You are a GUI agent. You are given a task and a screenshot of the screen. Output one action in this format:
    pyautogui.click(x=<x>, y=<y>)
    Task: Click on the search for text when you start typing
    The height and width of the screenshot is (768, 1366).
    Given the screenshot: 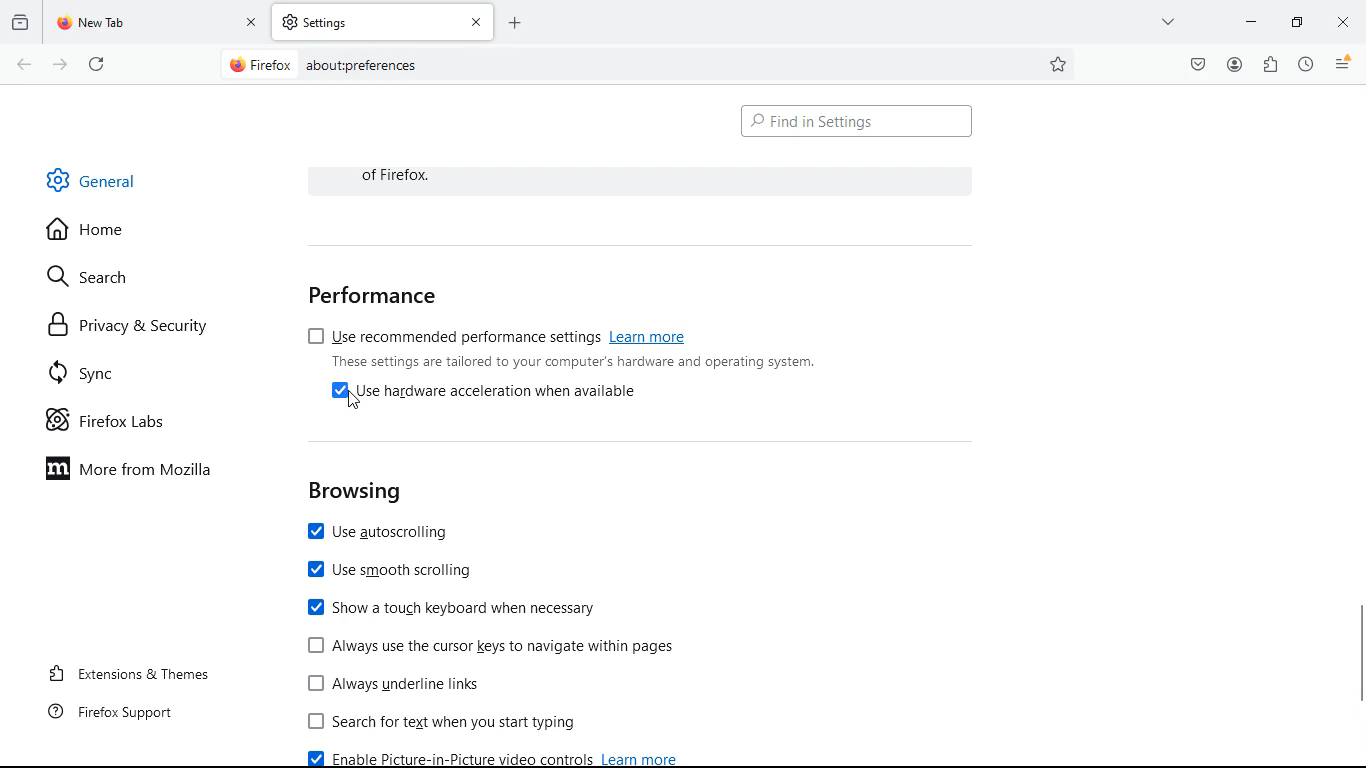 What is the action you would take?
    pyautogui.click(x=443, y=721)
    